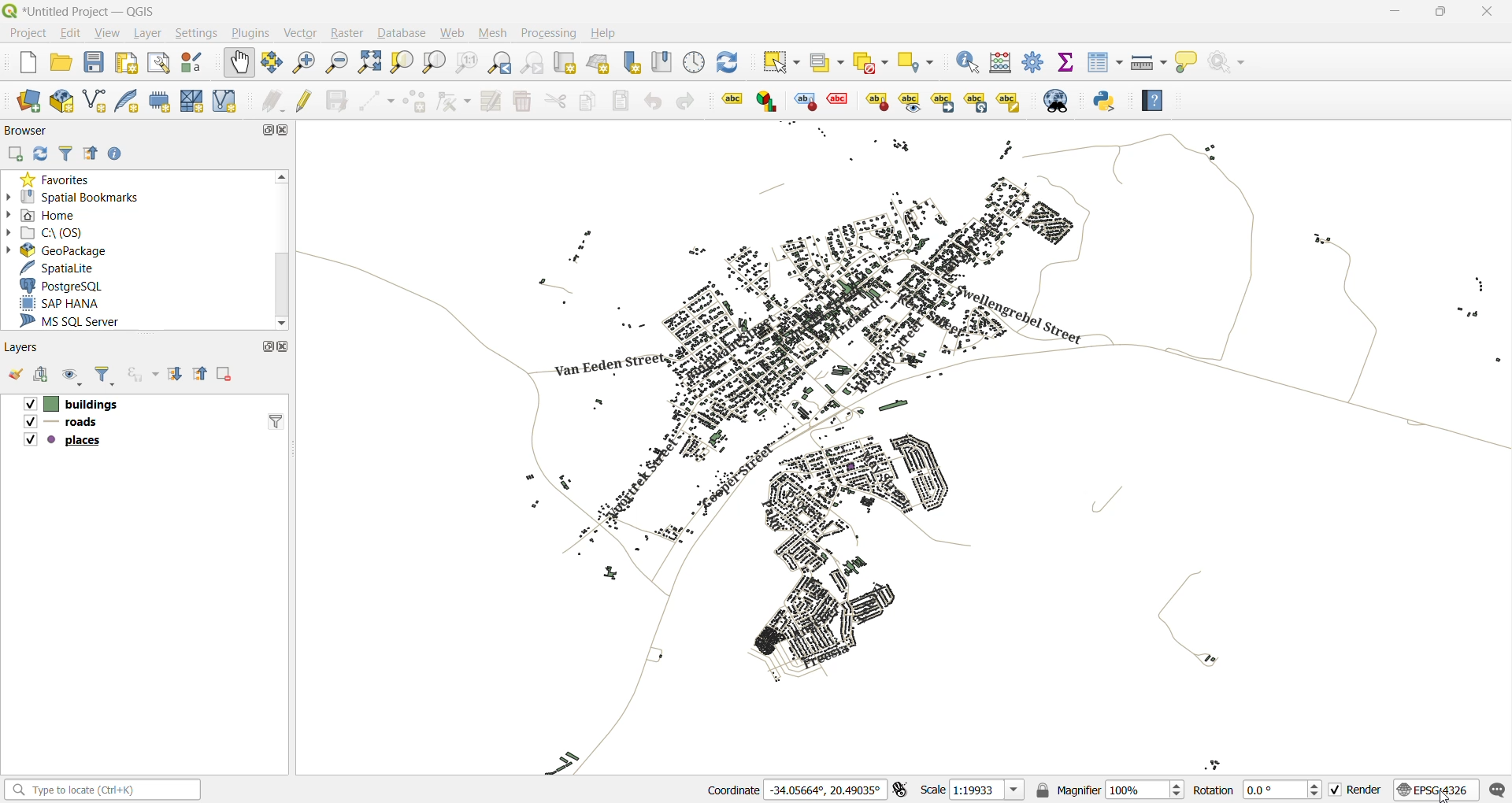  Describe the element at coordinates (402, 65) in the screenshot. I see `zoom selection ` at that location.